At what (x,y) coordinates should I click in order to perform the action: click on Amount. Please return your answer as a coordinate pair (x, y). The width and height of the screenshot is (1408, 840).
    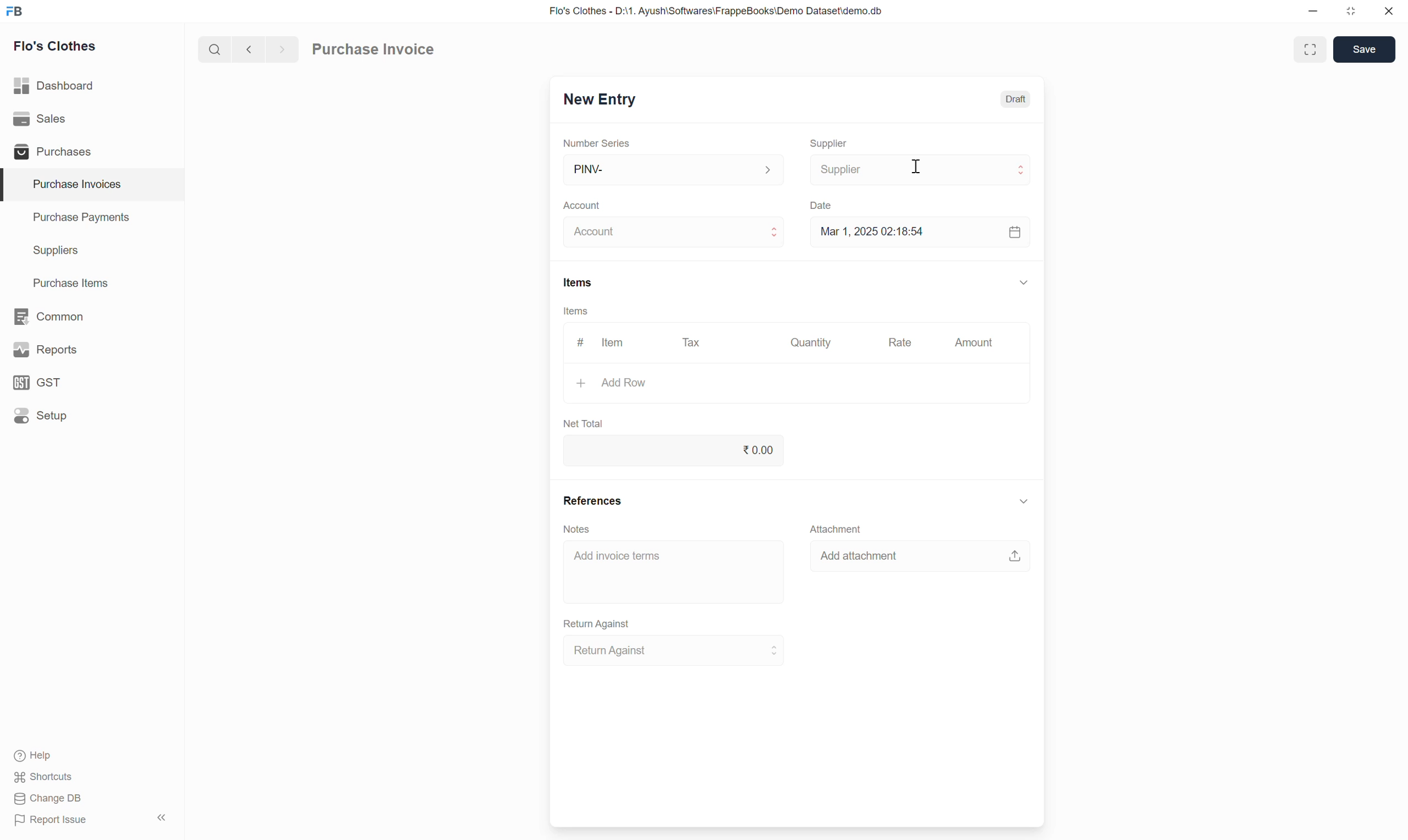
    Looking at the image, I should click on (978, 342).